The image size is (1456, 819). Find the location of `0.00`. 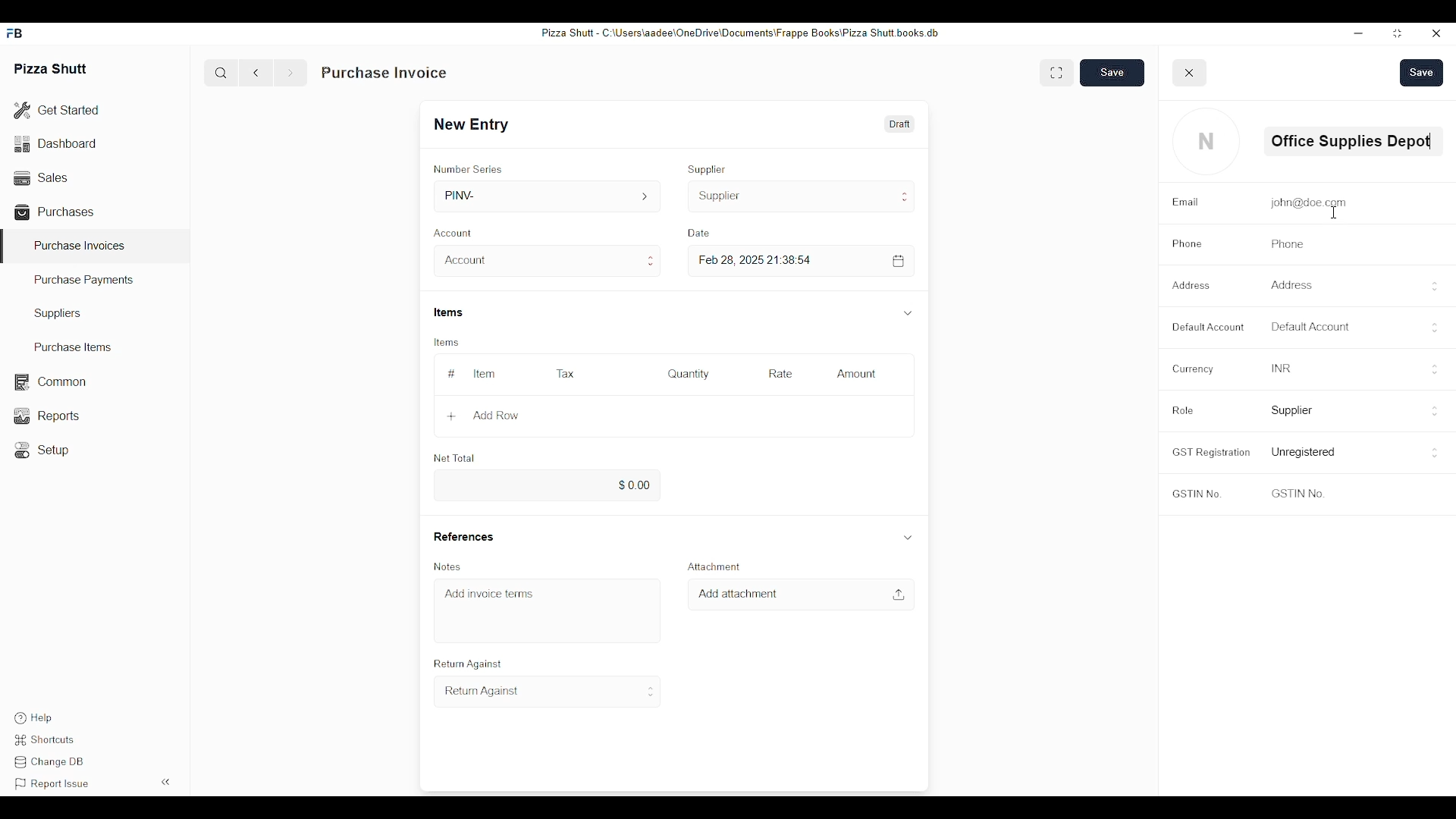

0.00 is located at coordinates (544, 486).